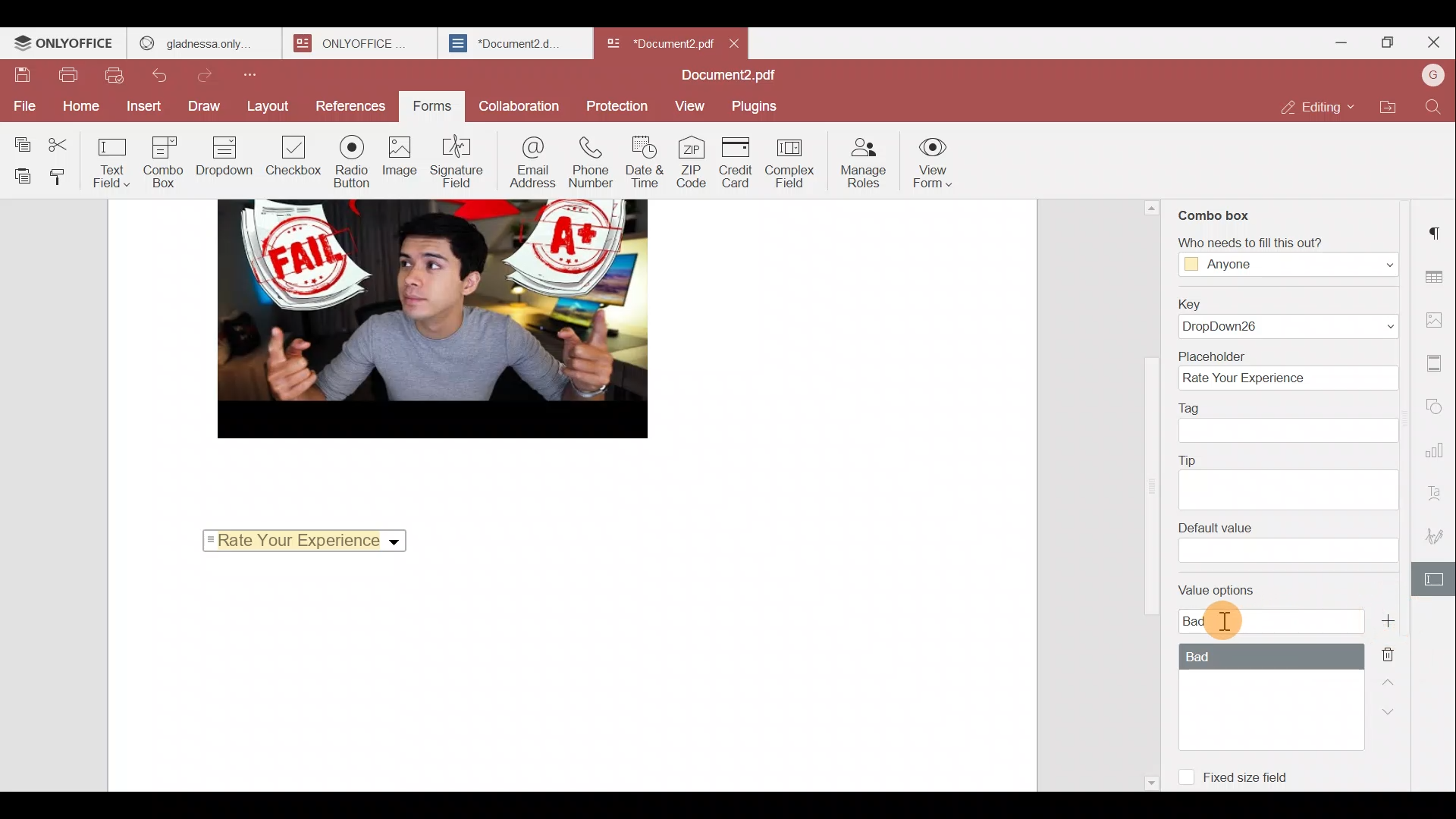  Describe the element at coordinates (169, 162) in the screenshot. I see `Combo box` at that location.